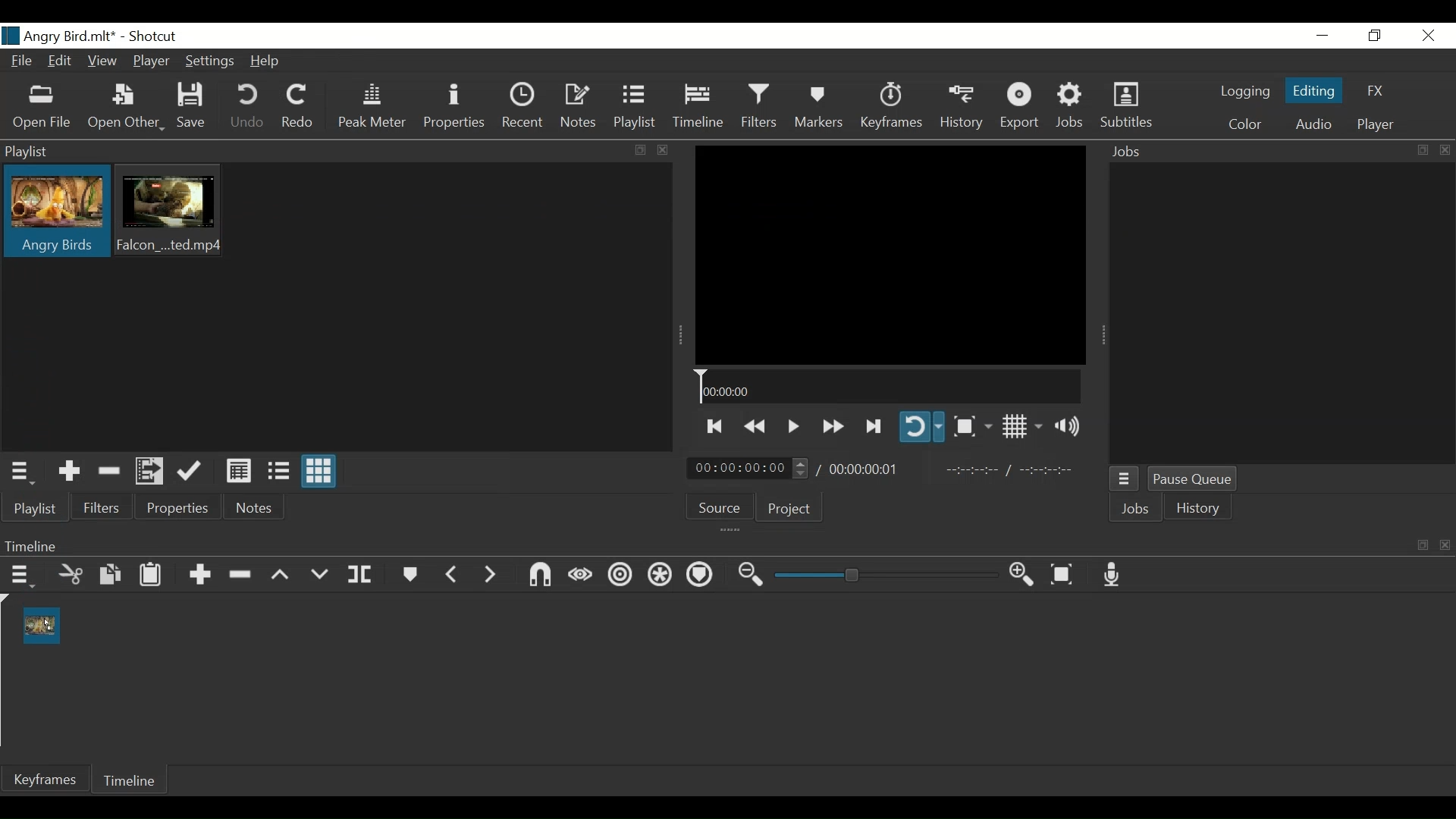 The image size is (1456, 819). What do you see at coordinates (620, 575) in the screenshot?
I see `Ripple` at bounding box center [620, 575].